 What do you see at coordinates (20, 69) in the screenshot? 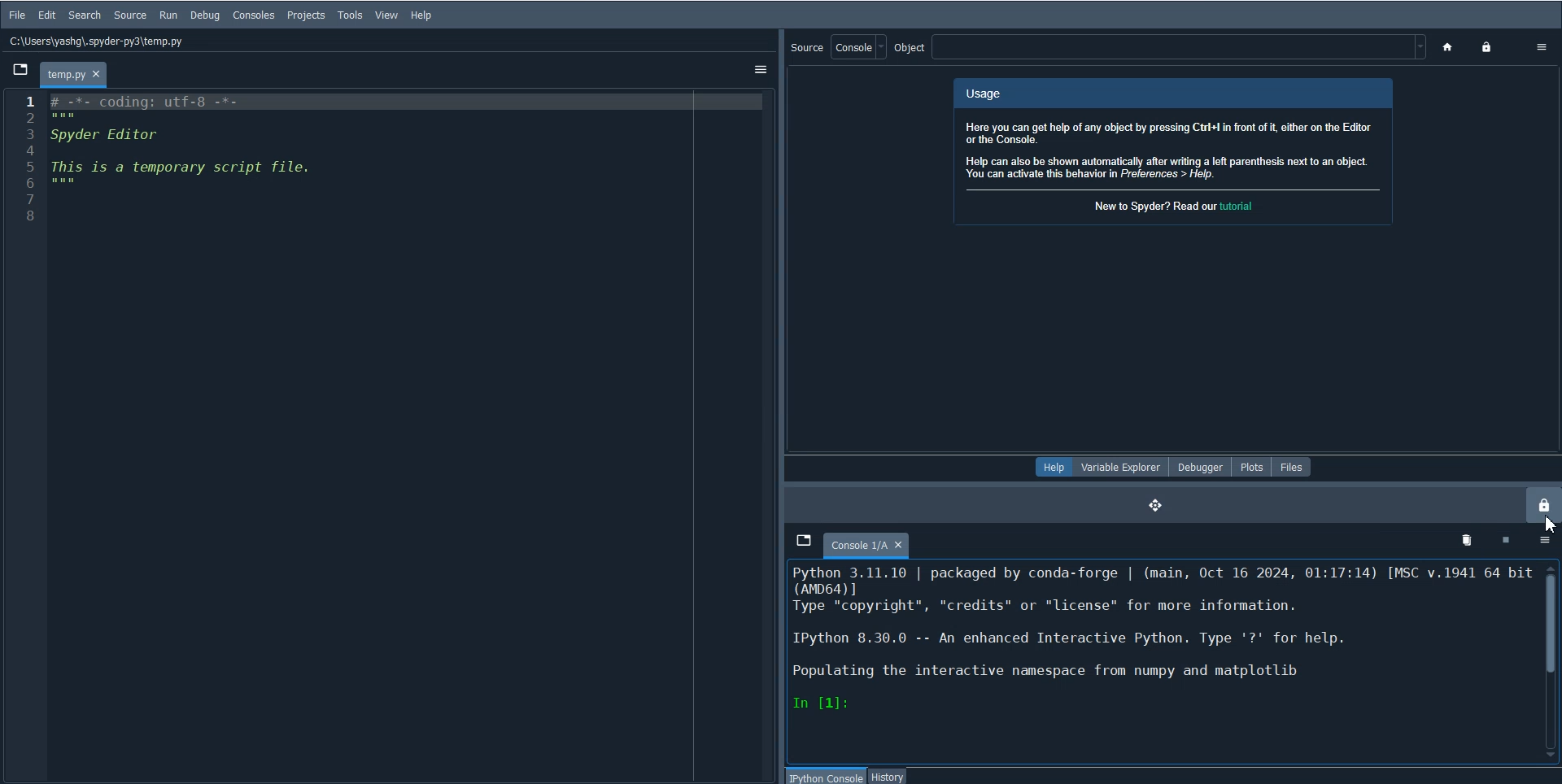
I see `Browse tab` at bounding box center [20, 69].